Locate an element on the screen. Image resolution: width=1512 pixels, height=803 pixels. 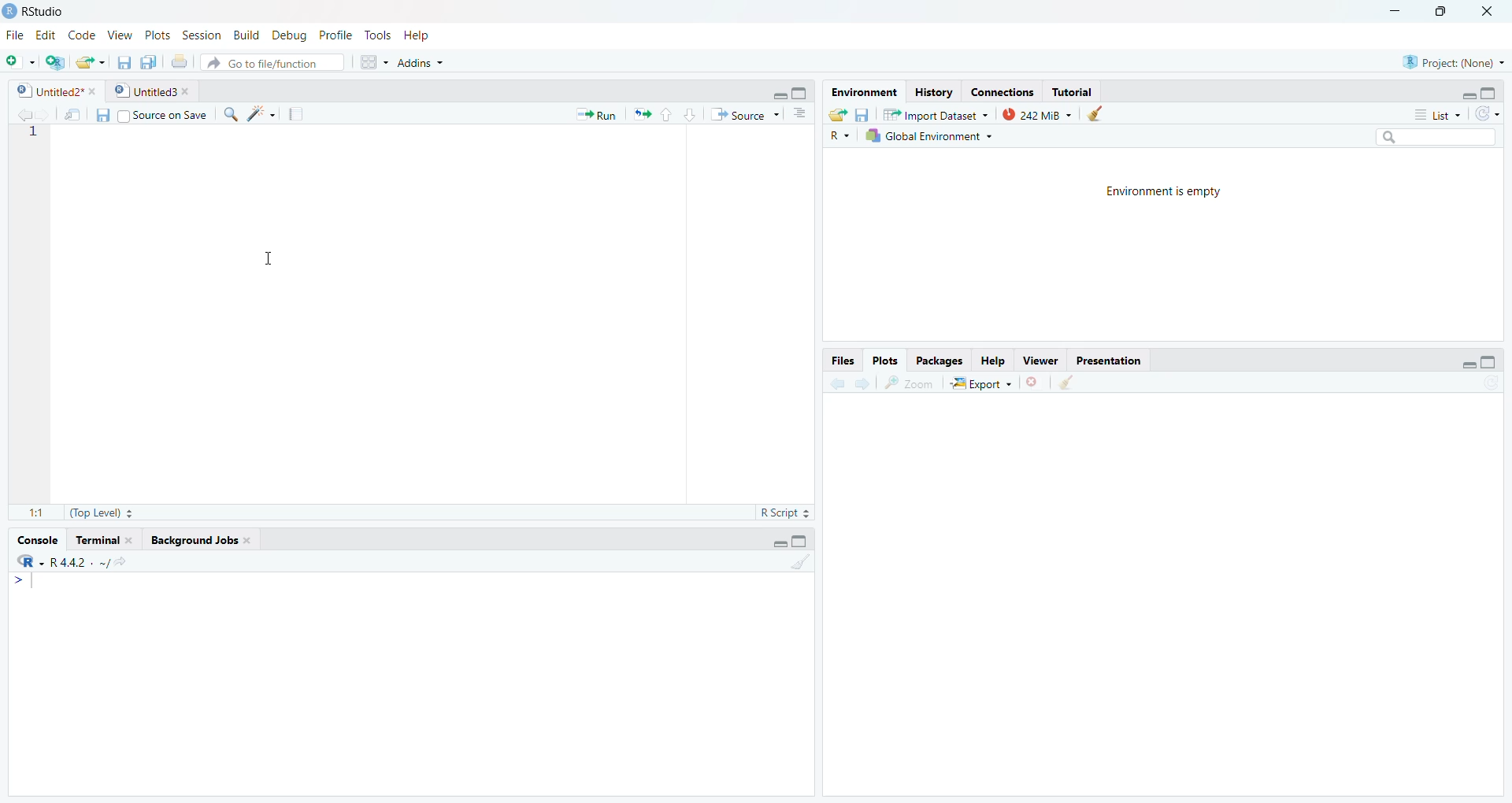
History is located at coordinates (933, 93).